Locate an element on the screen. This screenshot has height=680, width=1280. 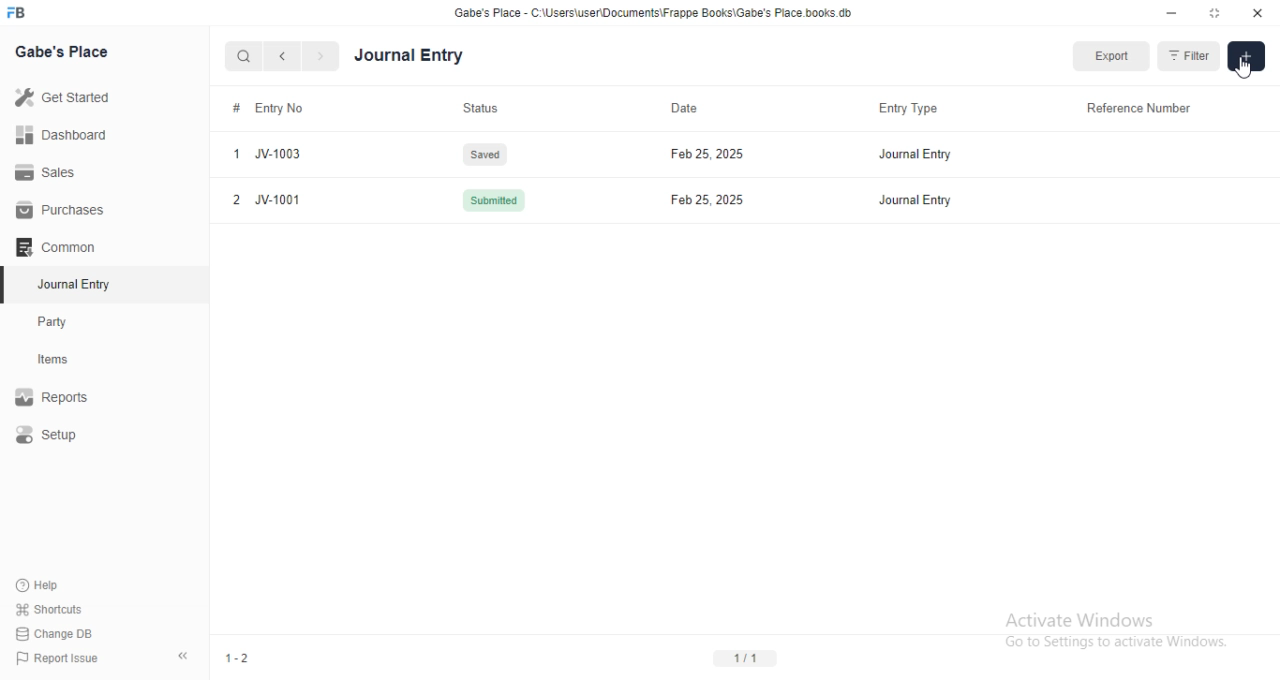
' Shortcuts is located at coordinates (50, 608).